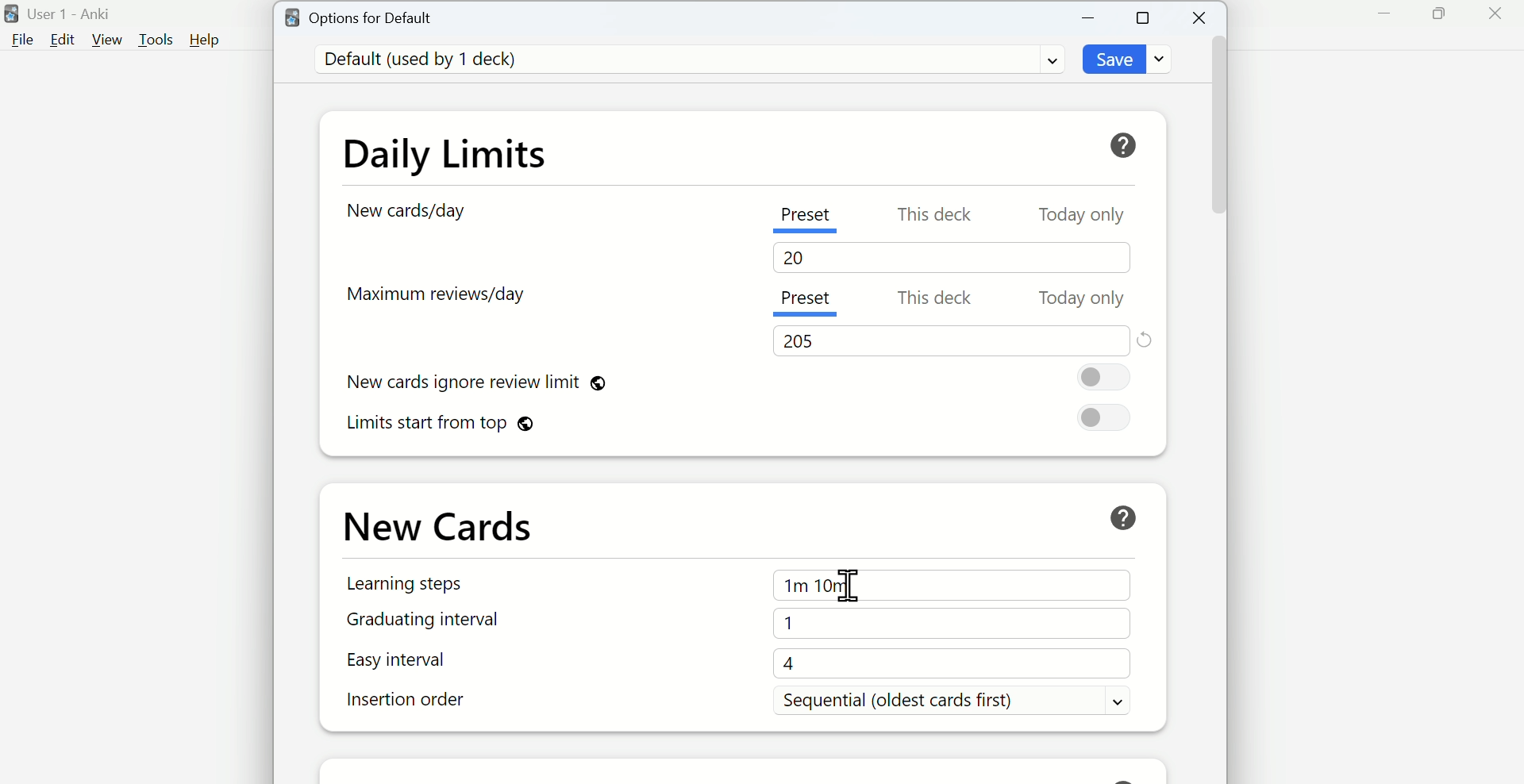 The width and height of the screenshot is (1524, 784). What do you see at coordinates (409, 703) in the screenshot?
I see `Insertion order` at bounding box center [409, 703].